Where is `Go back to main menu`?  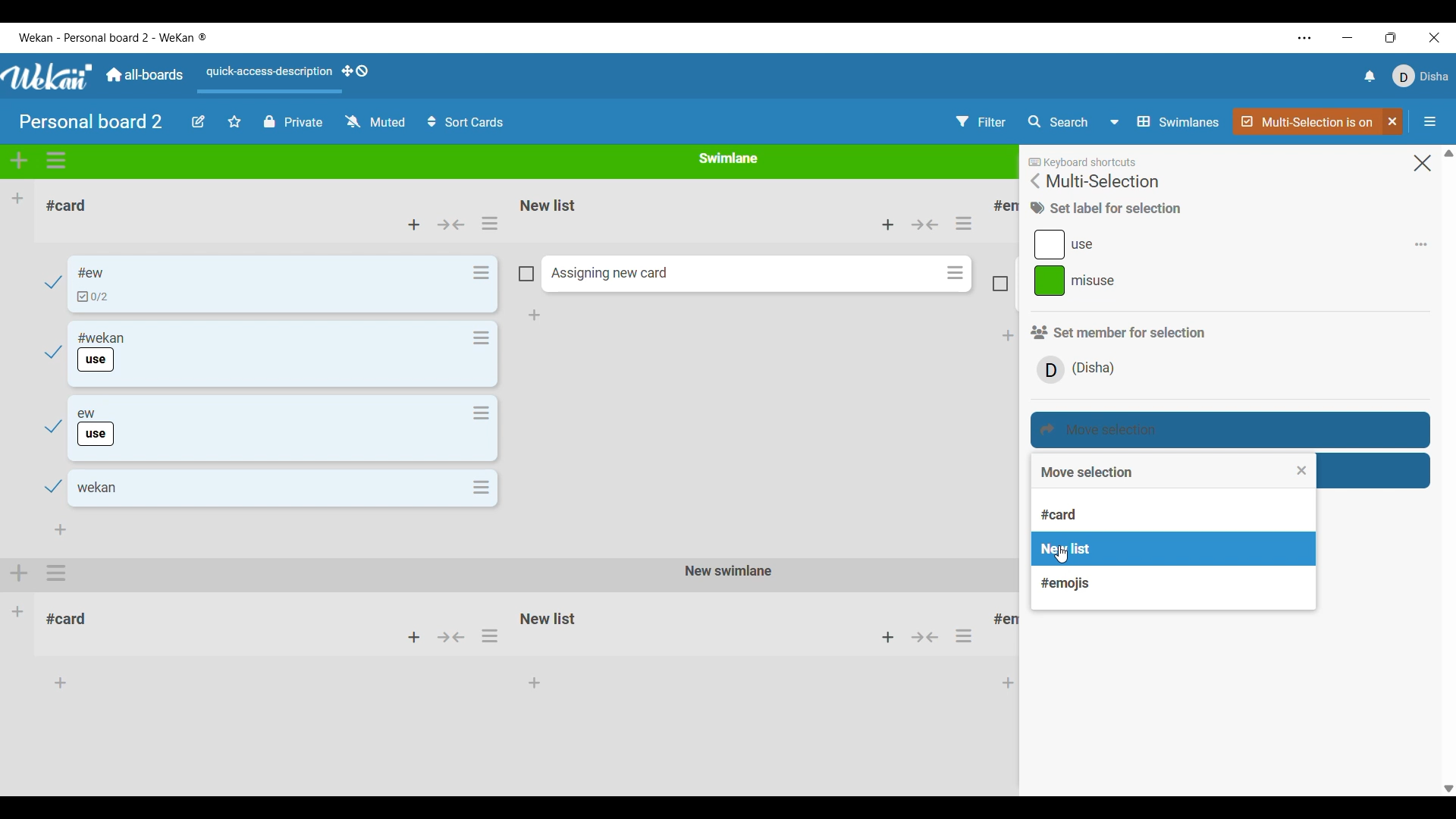
Go back to main menu is located at coordinates (1036, 180).